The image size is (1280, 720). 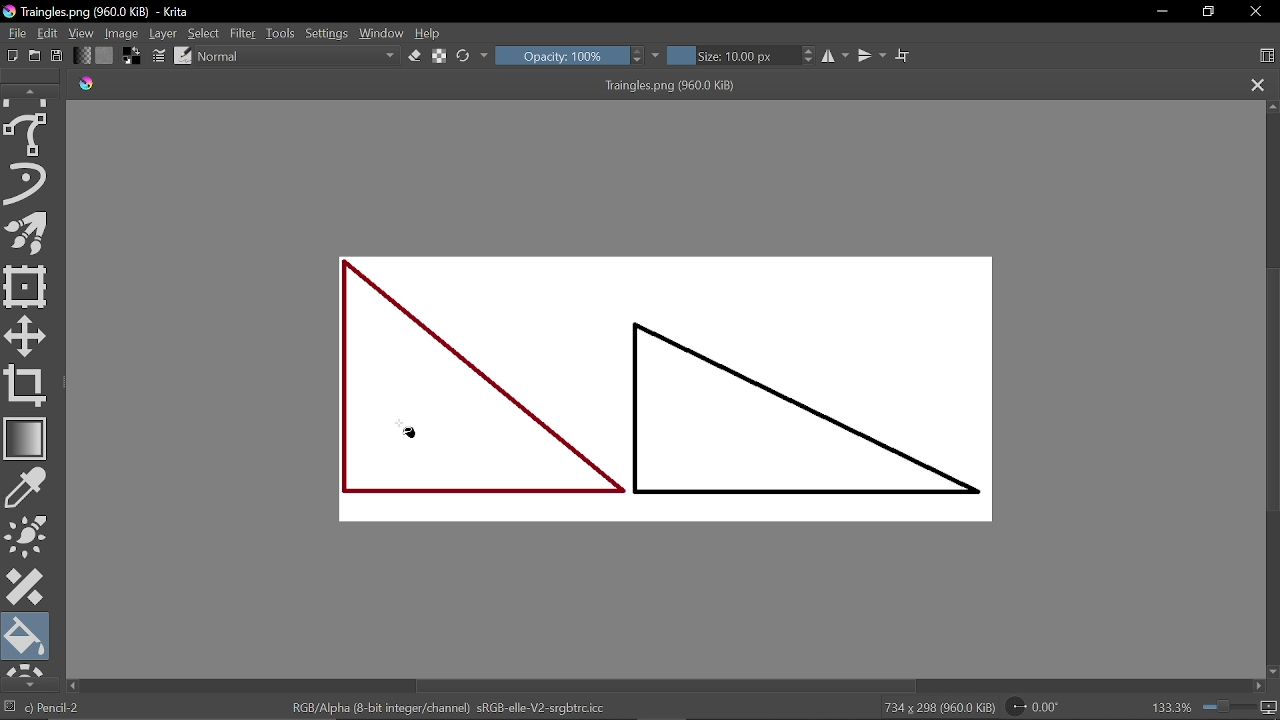 What do you see at coordinates (26, 287) in the screenshot?
I see `Transform a layer` at bounding box center [26, 287].